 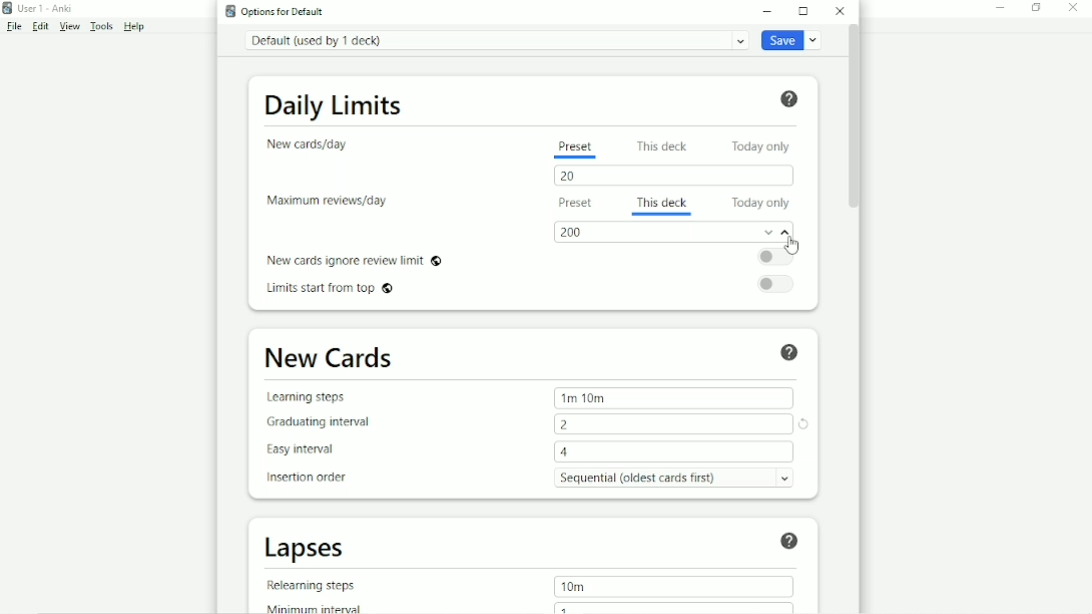 I want to click on 1, so click(x=564, y=607).